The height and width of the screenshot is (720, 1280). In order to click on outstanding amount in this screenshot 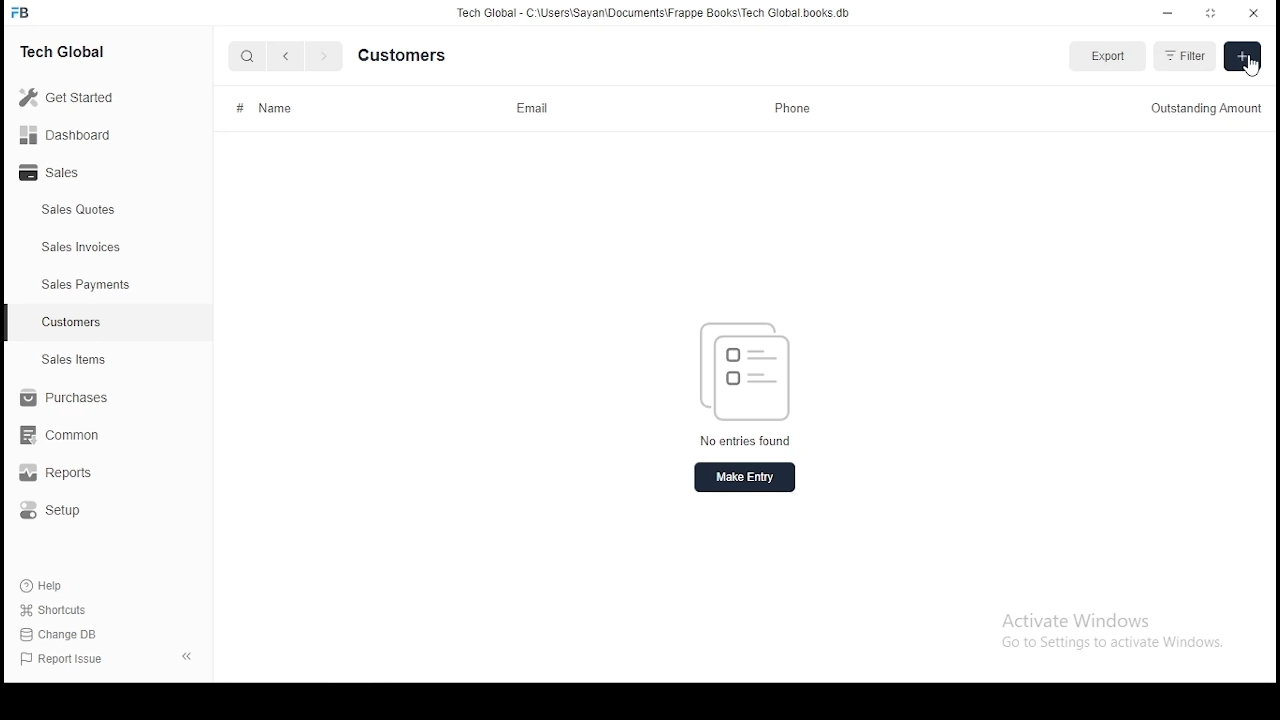, I will do `click(1204, 110)`.